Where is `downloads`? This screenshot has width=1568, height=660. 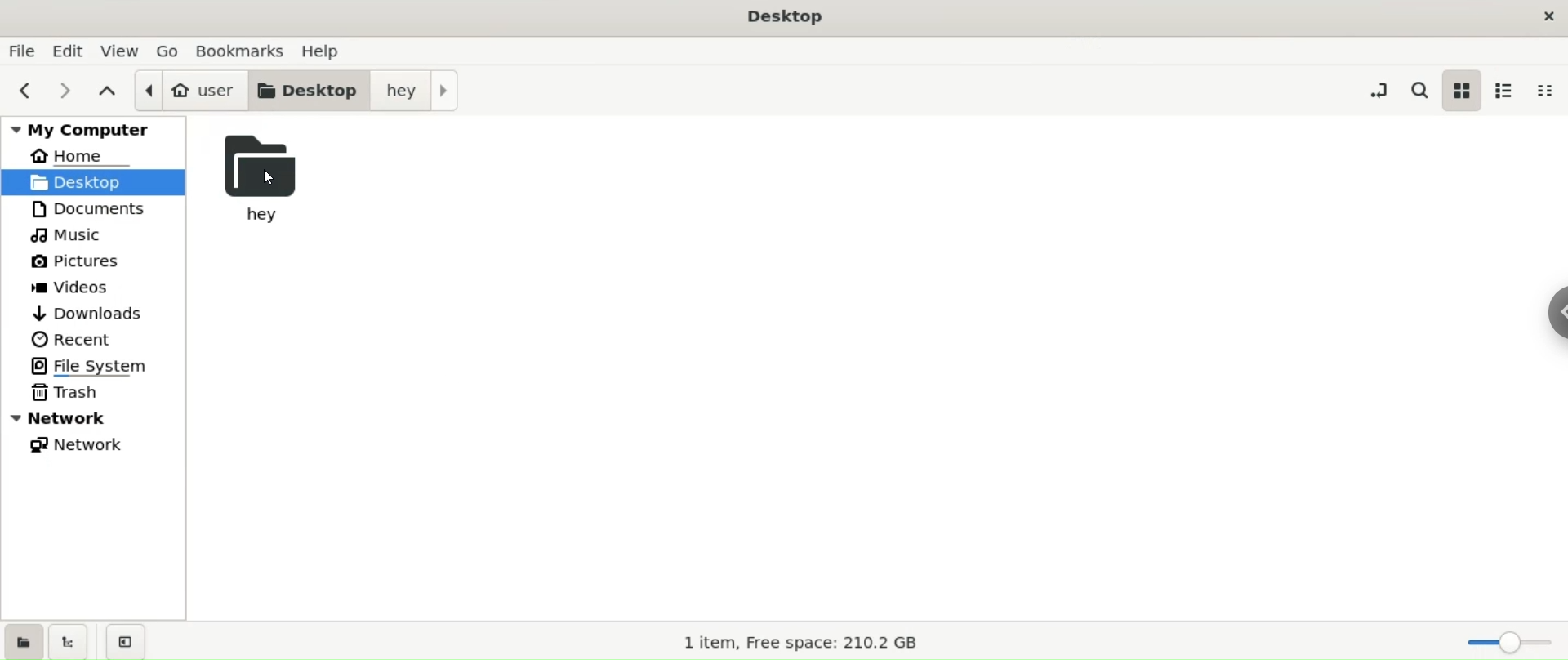
downloads is located at coordinates (96, 313).